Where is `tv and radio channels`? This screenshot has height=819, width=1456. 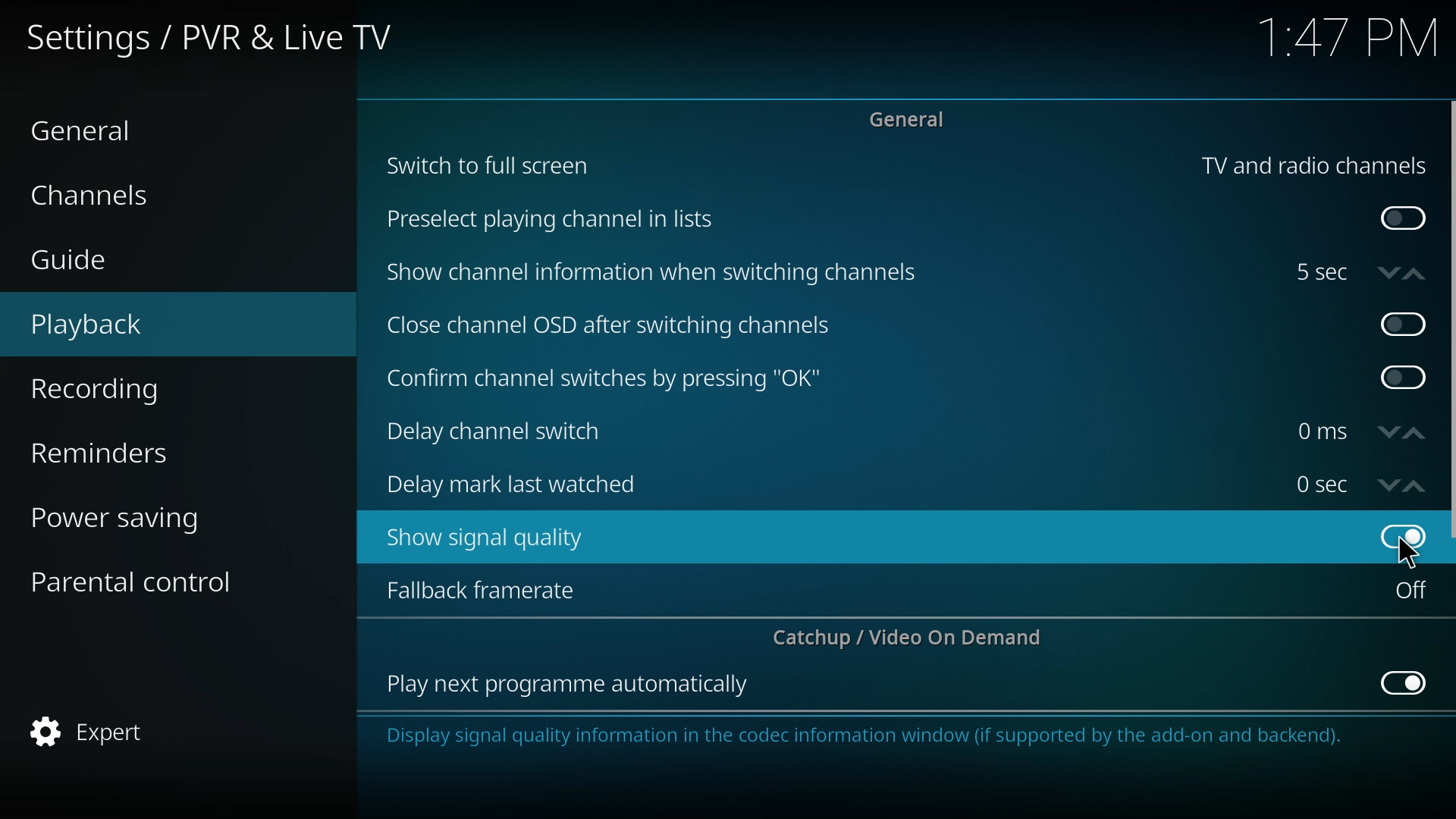 tv and radio channels is located at coordinates (1313, 166).